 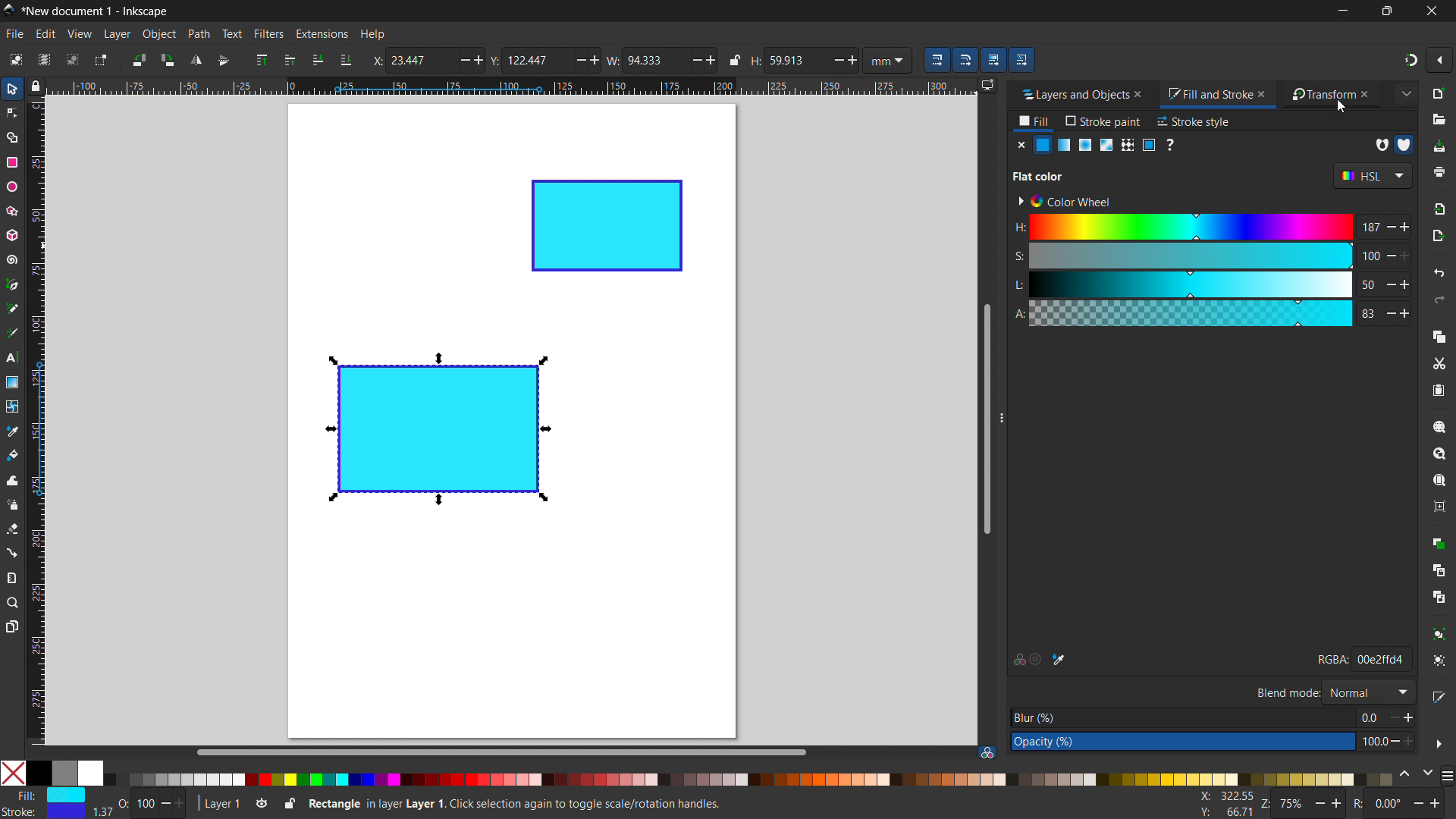 I want to click on text tool, so click(x=12, y=359).